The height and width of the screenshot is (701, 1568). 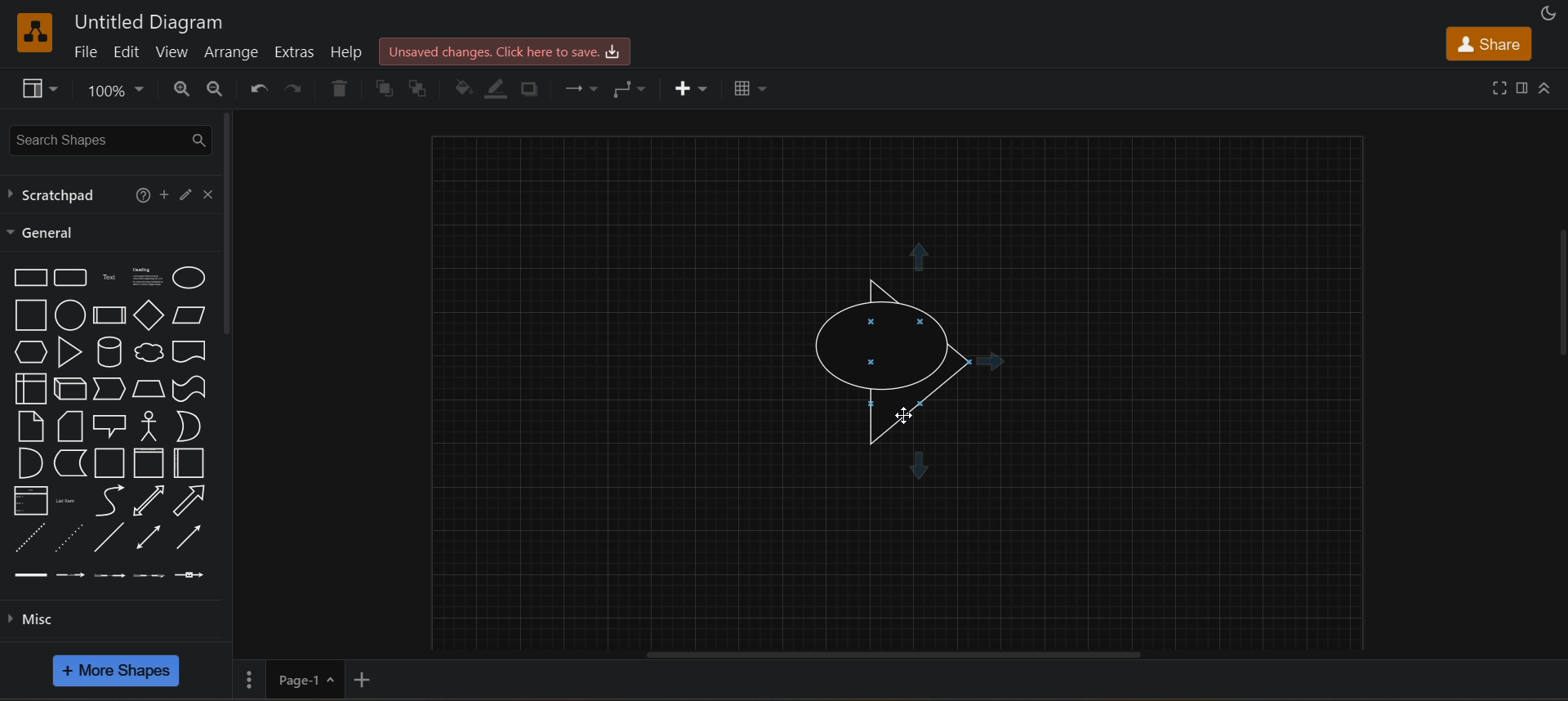 I want to click on internal storage, so click(x=33, y=388).